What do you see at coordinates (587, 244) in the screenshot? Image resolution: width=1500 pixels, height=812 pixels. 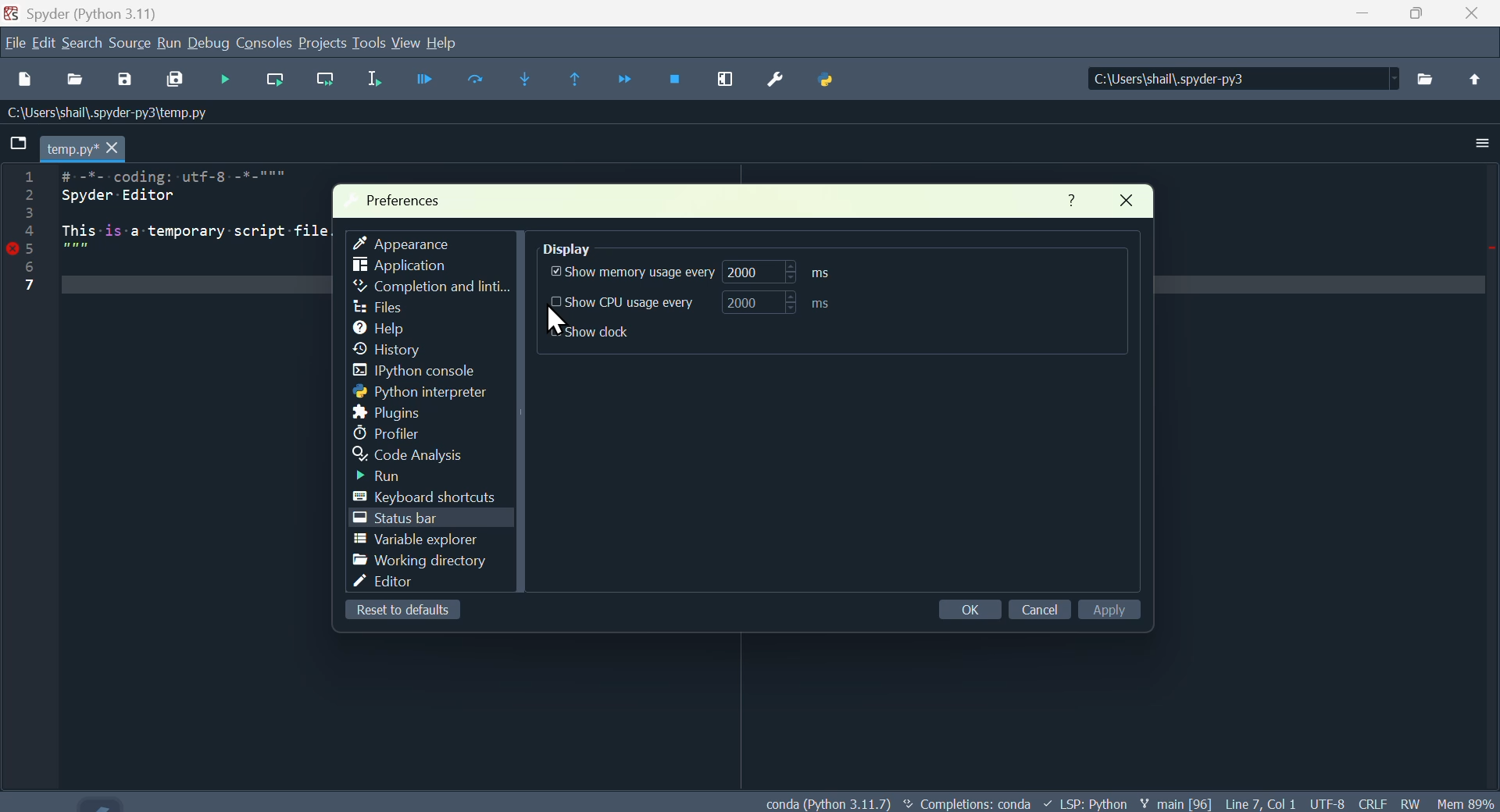 I see `Display` at bounding box center [587, 244].